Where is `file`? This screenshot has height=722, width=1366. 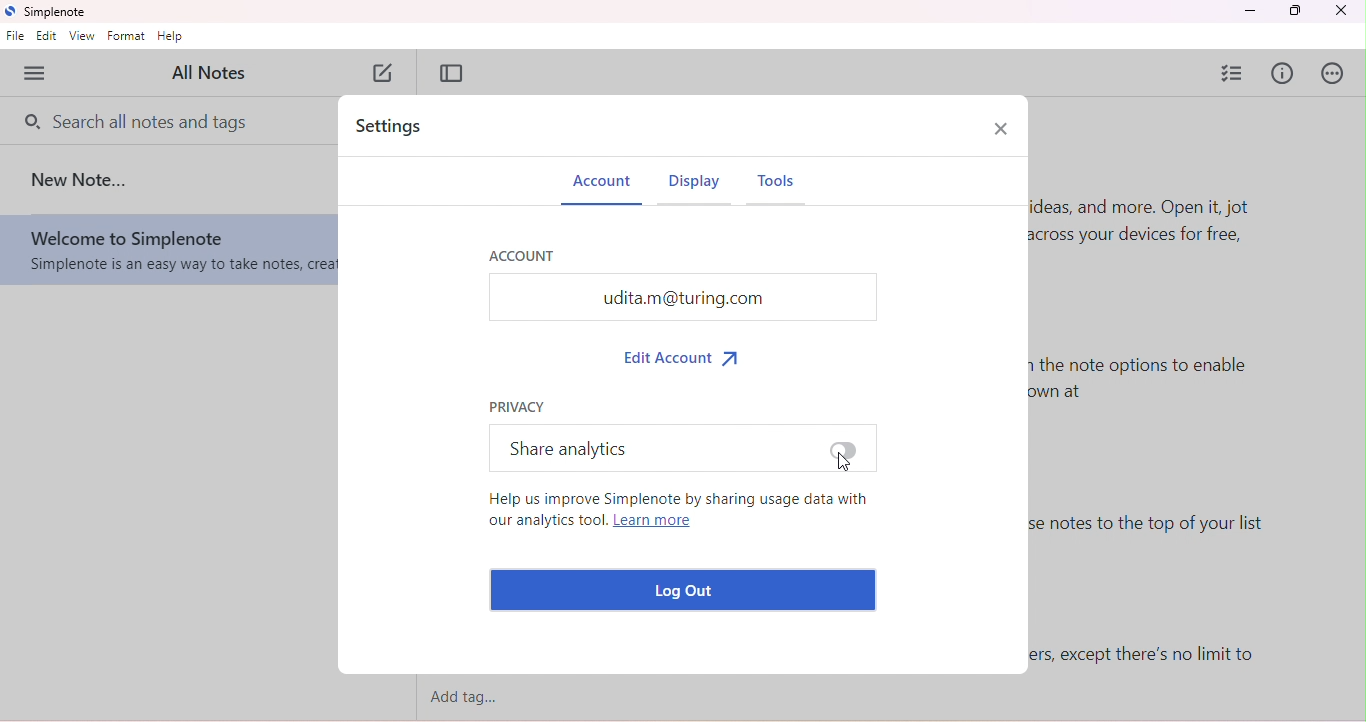
file is located at coordinates (16, 38).